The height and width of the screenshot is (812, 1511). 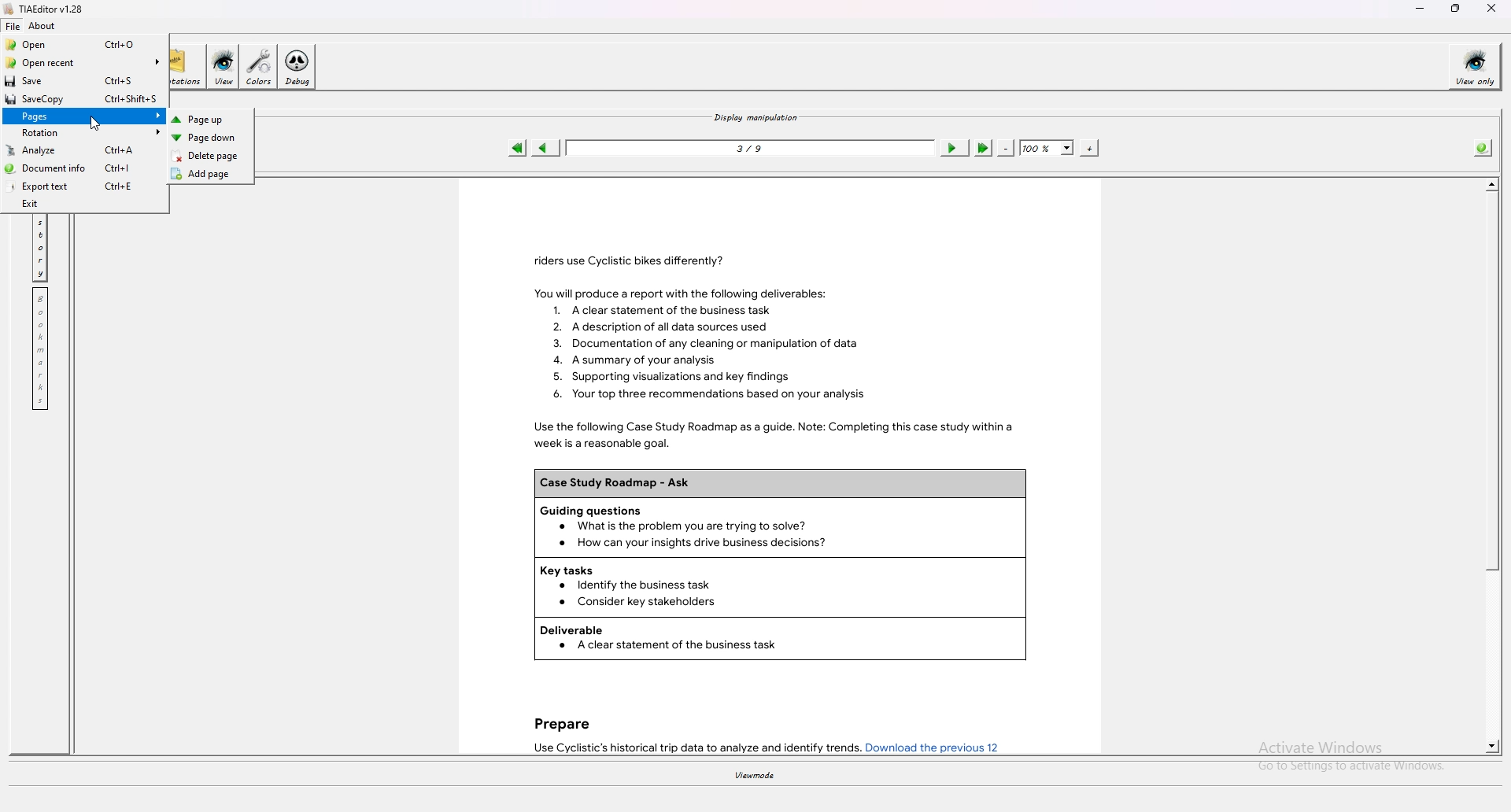 What do you see at coordinates (751, 147) in the screenshot?
I see `3/9` at bounding box center [751, 147].